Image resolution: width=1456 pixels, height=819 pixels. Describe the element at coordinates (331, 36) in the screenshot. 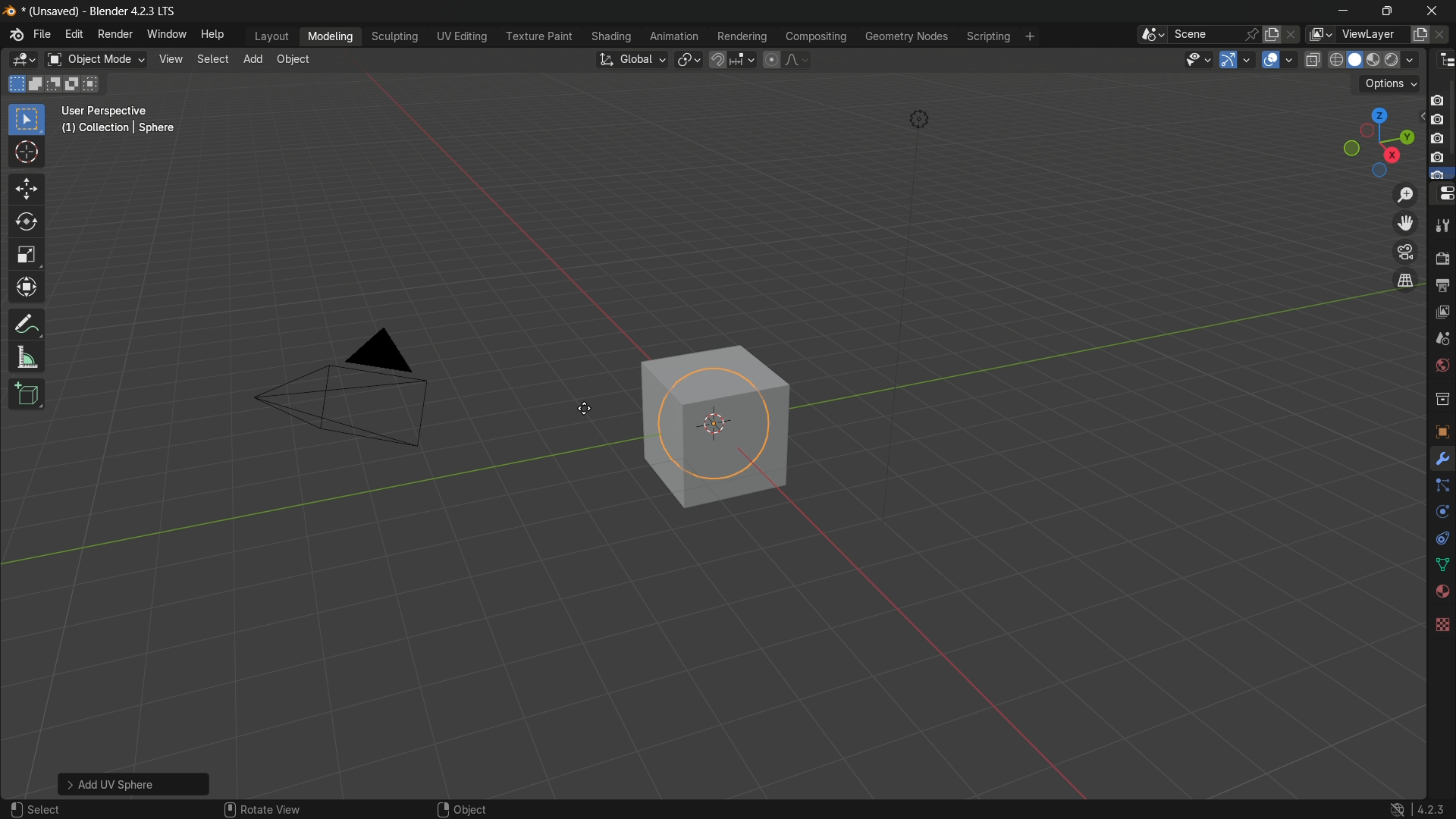

I see `modeling menu` at that location.